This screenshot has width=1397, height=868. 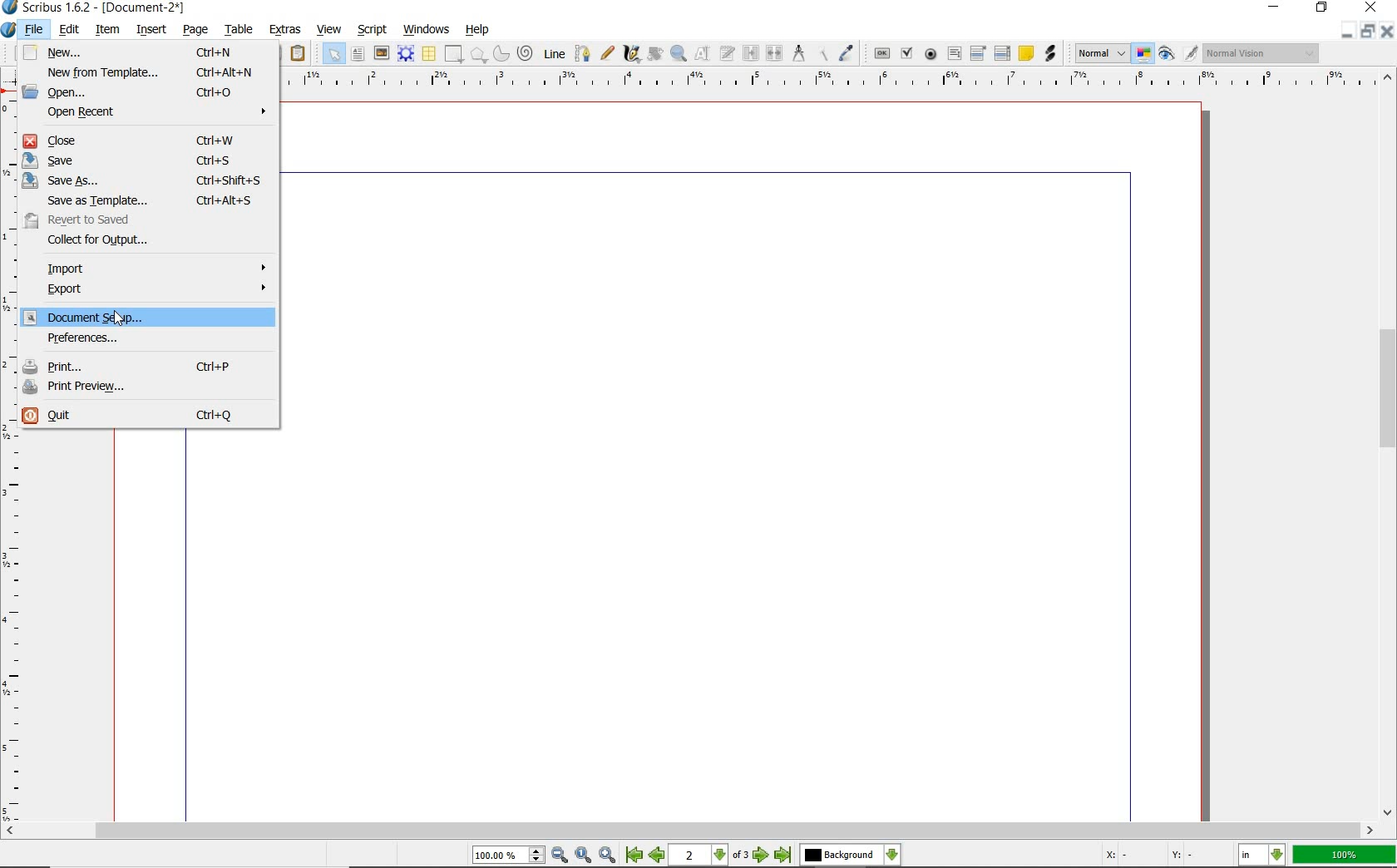 I want to click on shape, so click(x=452, y=55).